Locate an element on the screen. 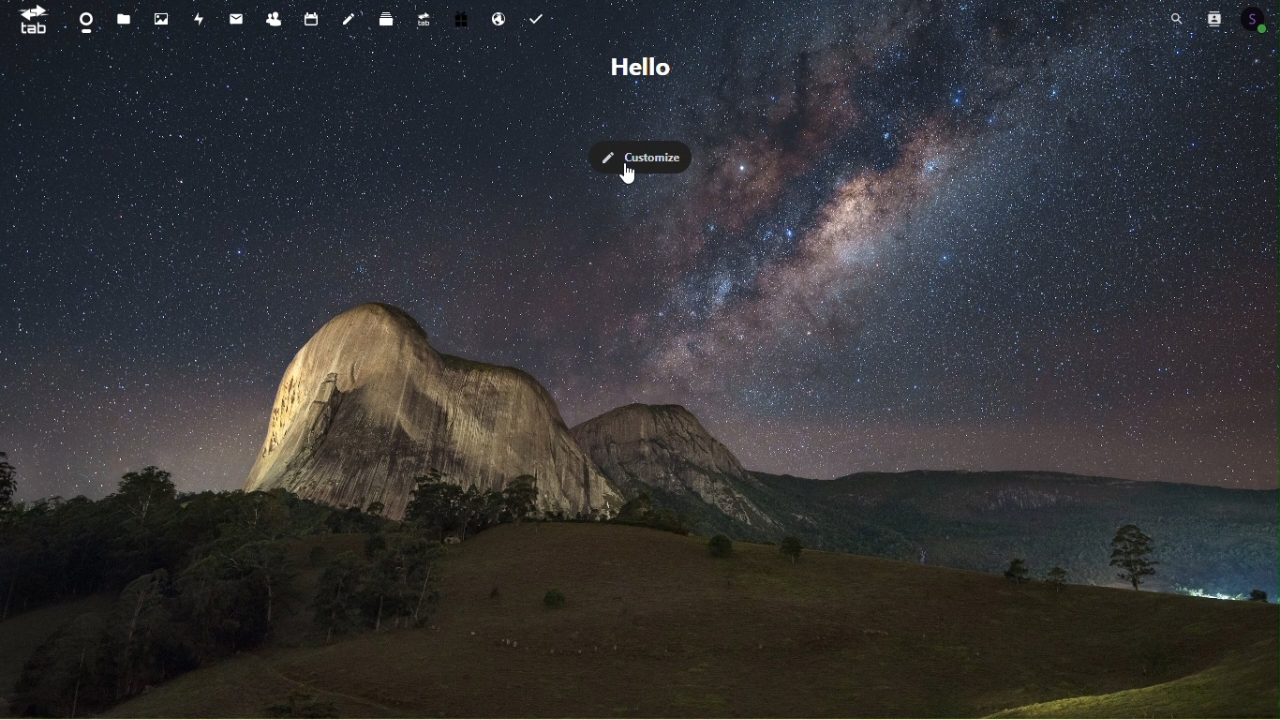  Activity is located at coordinates (199, 19).